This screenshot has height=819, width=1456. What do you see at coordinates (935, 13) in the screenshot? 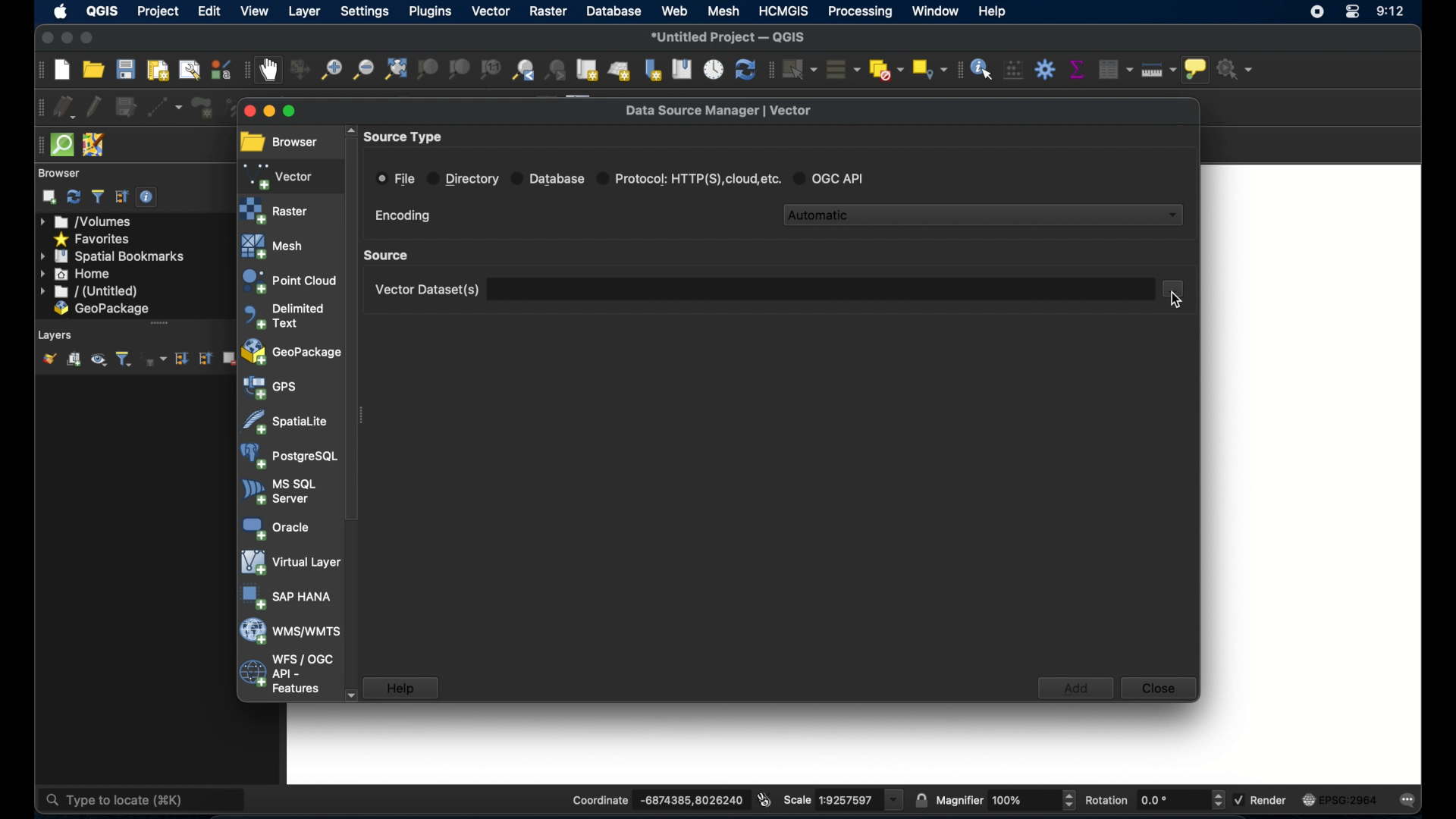
I see `window` at bounding box center [935, 13].